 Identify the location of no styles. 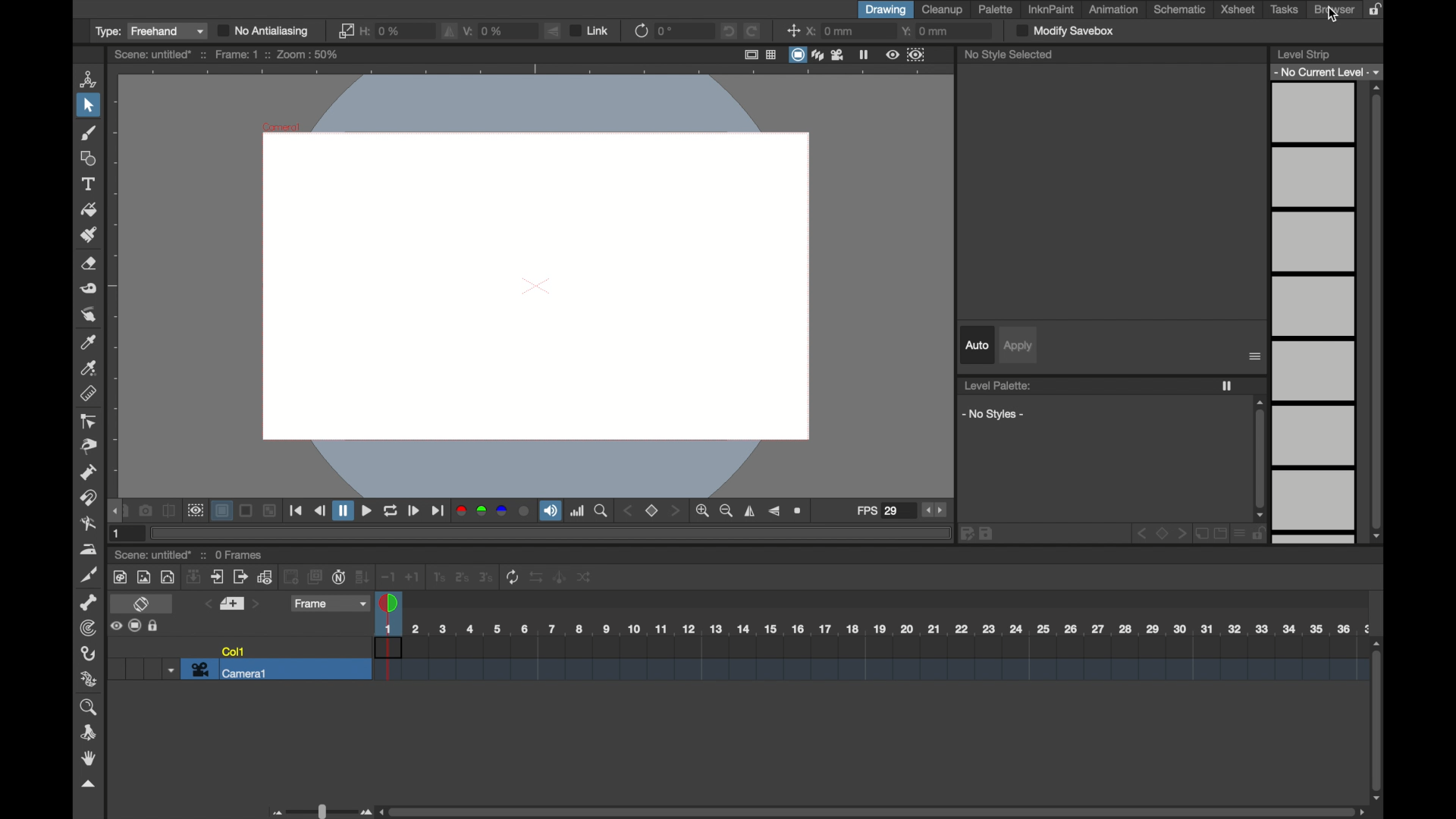
(994, 415).